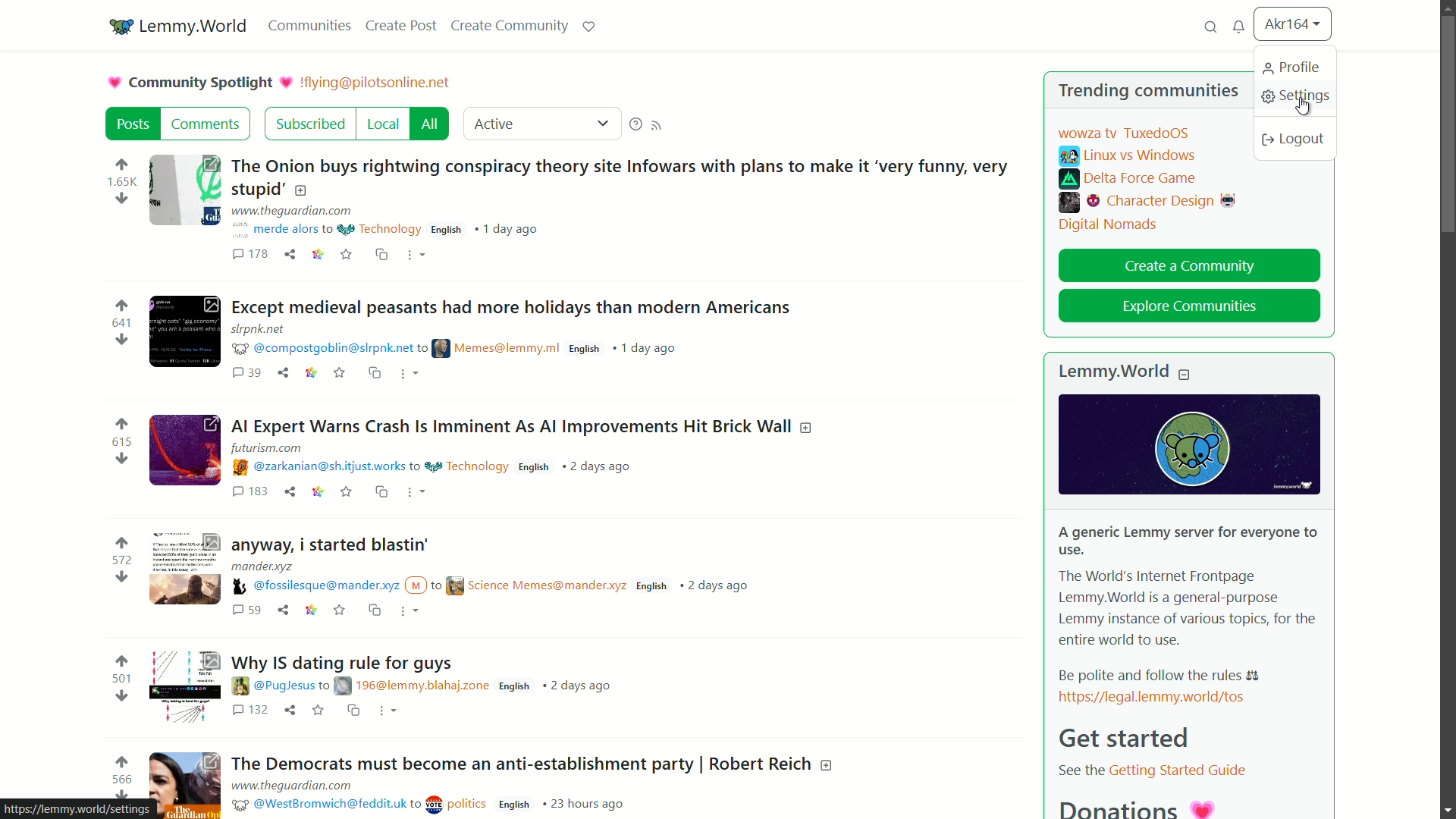 The height and width of the screenshot is (819, 1456). What do you see at coordinates (1295, 96) in the screenshot?
I see `settings` at bounding box center [1295, 96].